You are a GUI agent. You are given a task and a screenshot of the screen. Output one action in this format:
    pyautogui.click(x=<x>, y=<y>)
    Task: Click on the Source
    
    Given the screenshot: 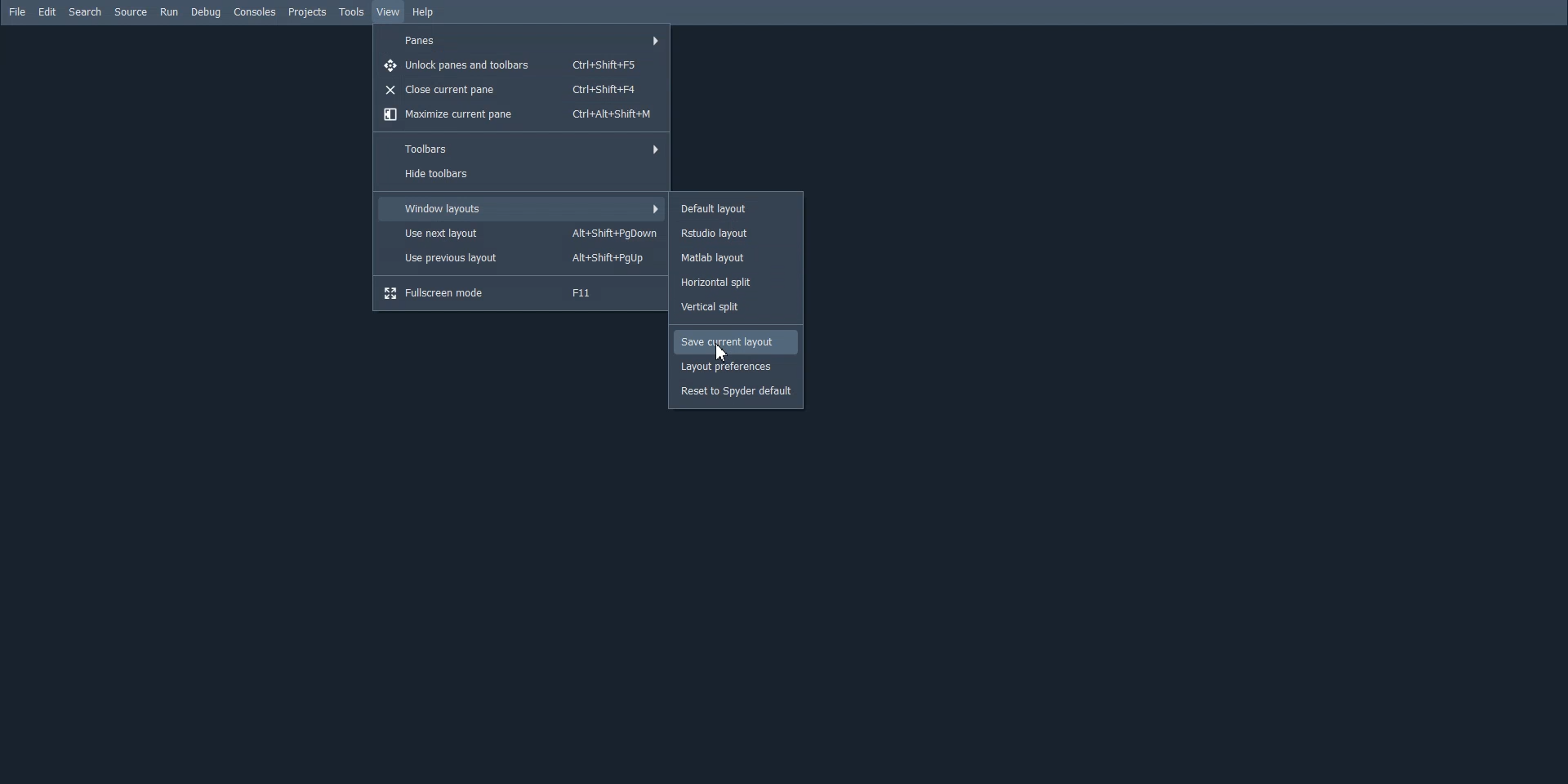 What is the action you would take?
    pyautogui.click(x=131, y=11)
    